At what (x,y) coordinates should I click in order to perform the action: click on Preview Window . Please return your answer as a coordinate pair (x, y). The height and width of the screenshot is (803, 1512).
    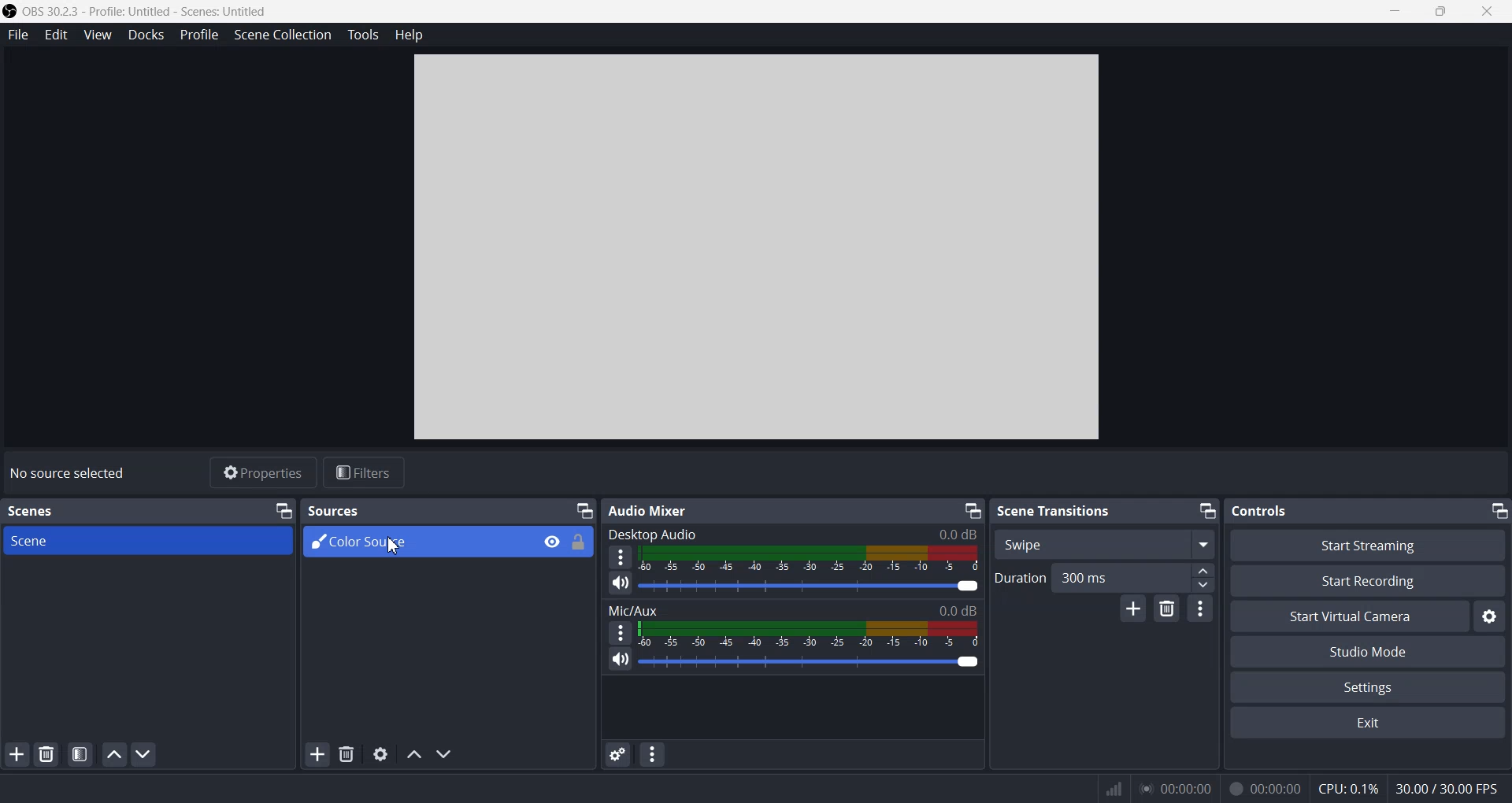
    Looking at the image, I should click on (759, 248).